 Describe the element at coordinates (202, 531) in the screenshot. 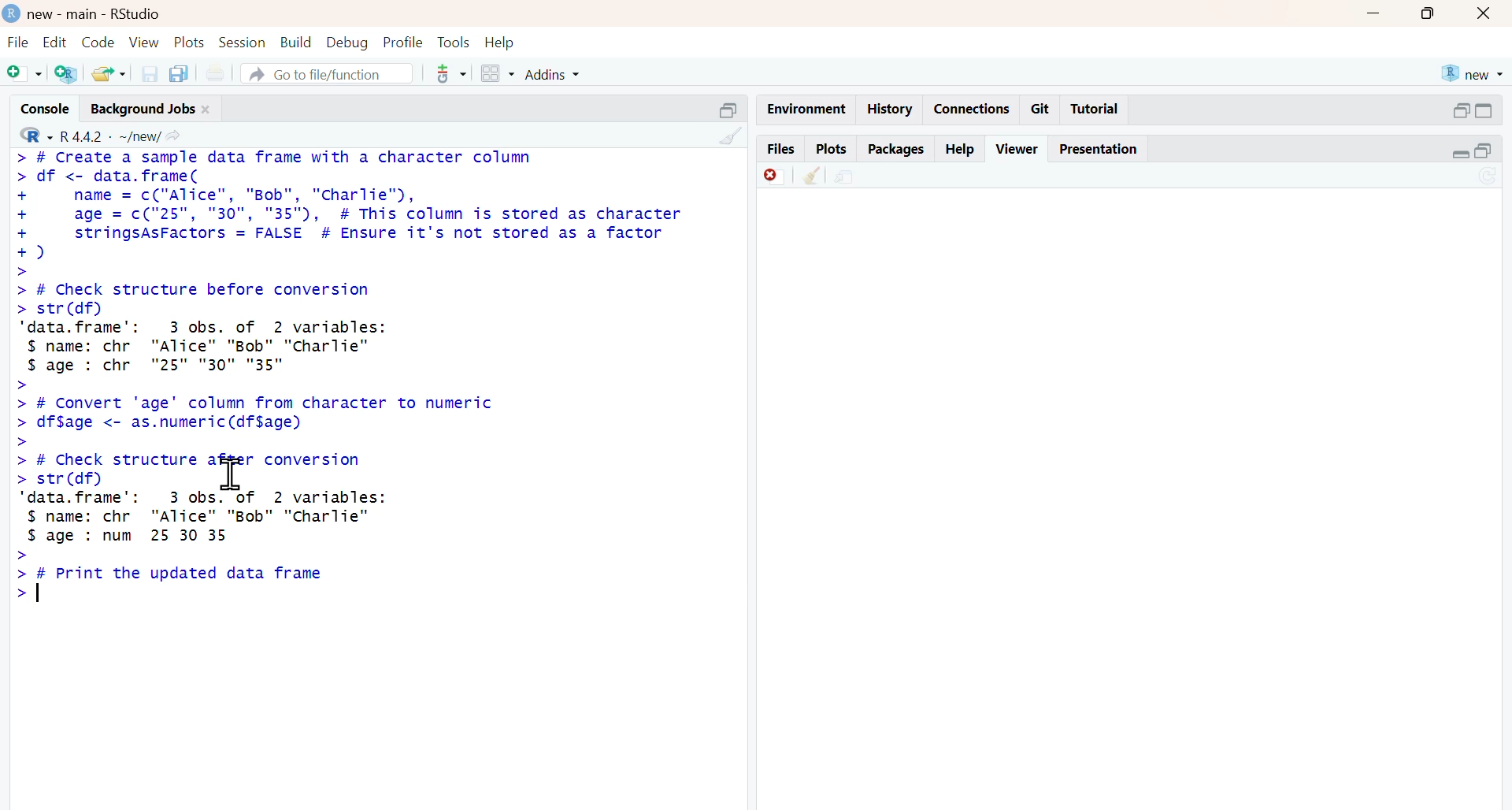

I see `> # Check structure after conversion> str(df) ‘data. frame’: 3 obs. of 2 variables:$ name: chr "Alice" "Bob" "Charlie"$ age : num 25 30 35>> [ Print the updated data frame>` at that location.